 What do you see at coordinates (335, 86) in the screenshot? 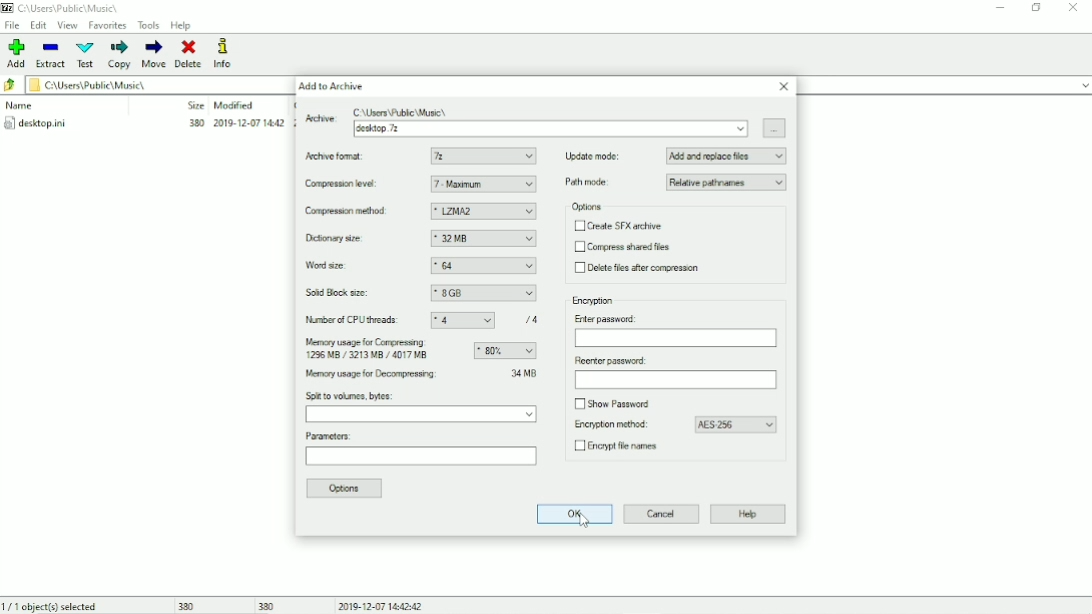
I see `Add to Archive` at bounding box center [335, 86].